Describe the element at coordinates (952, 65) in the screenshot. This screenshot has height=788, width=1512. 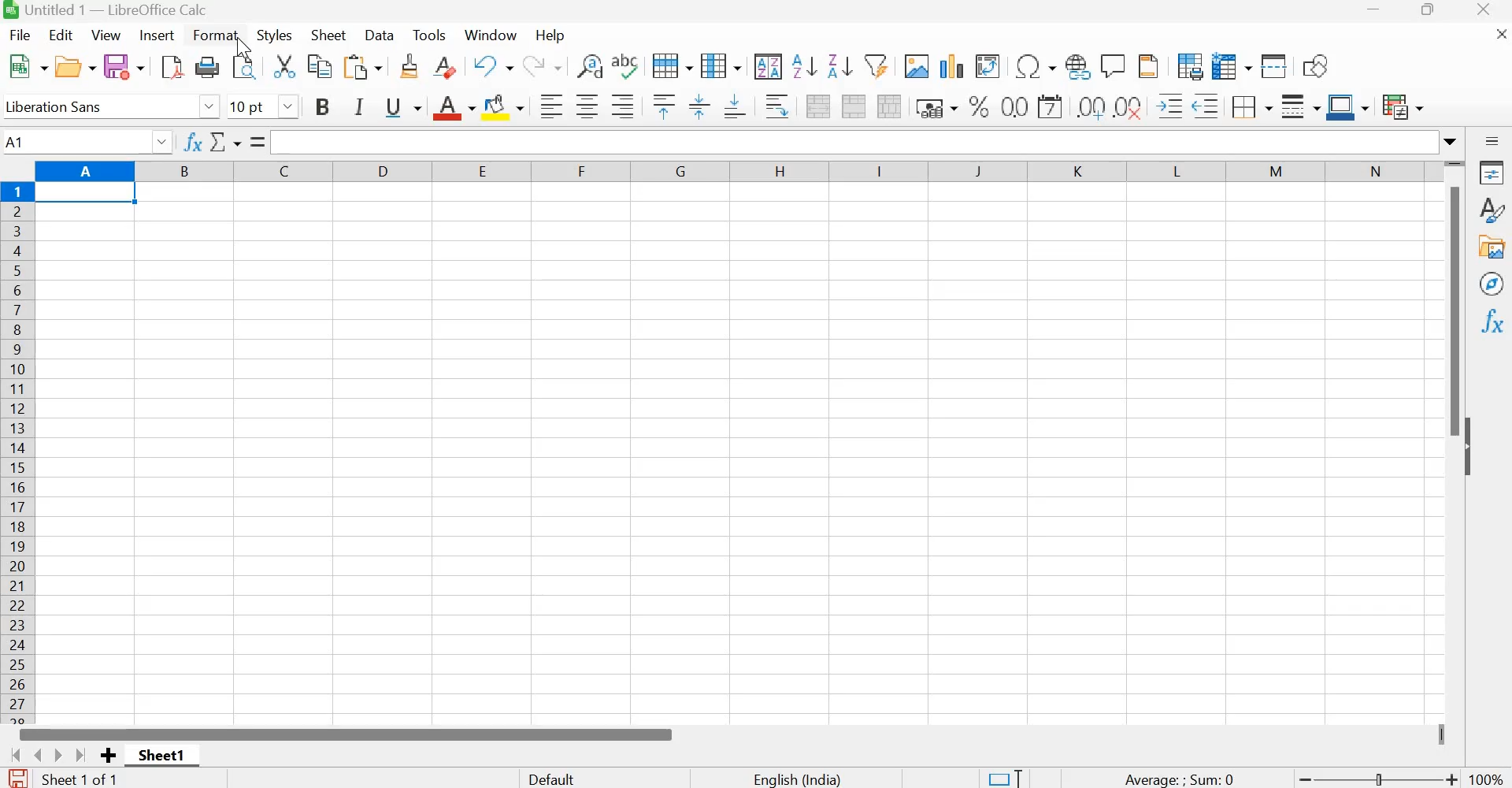
I see `Insert chart` at that location.